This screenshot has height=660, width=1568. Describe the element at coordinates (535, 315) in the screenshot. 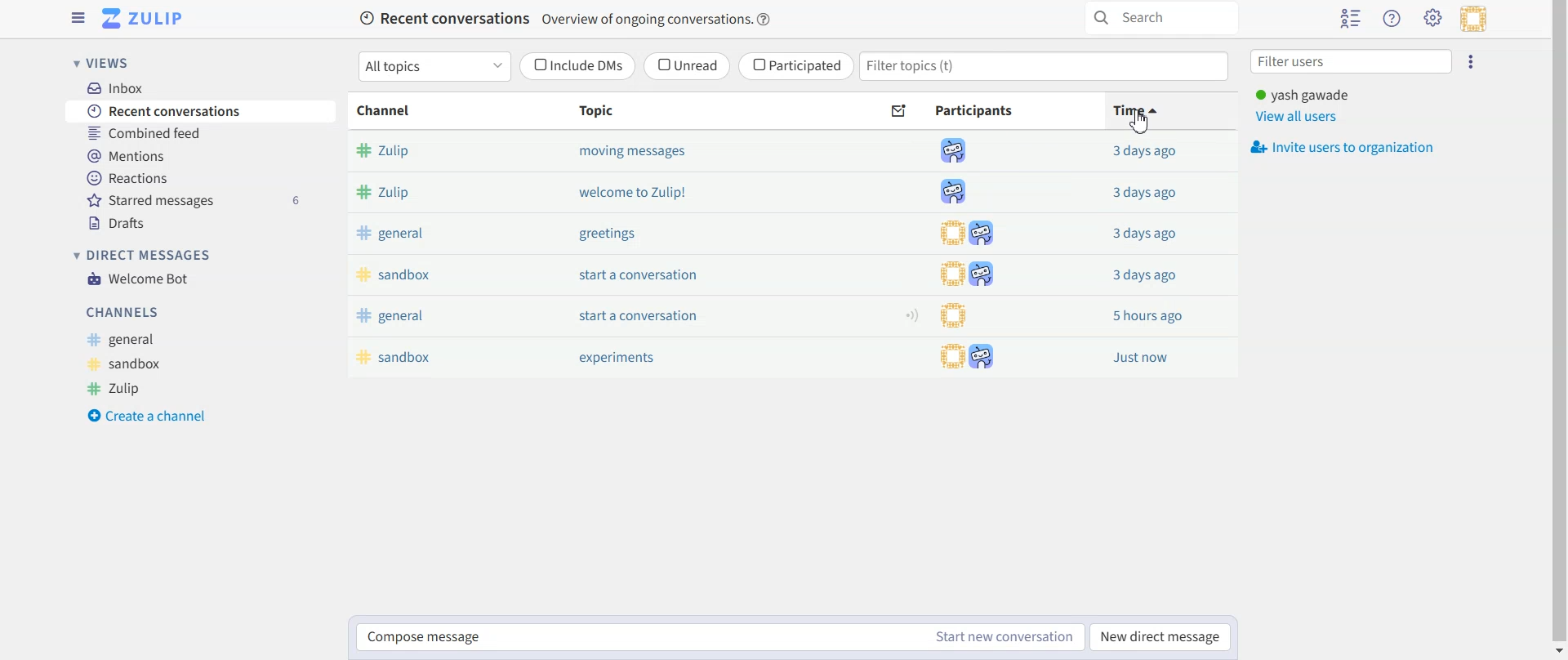

I see `general start a conversation` at that location.